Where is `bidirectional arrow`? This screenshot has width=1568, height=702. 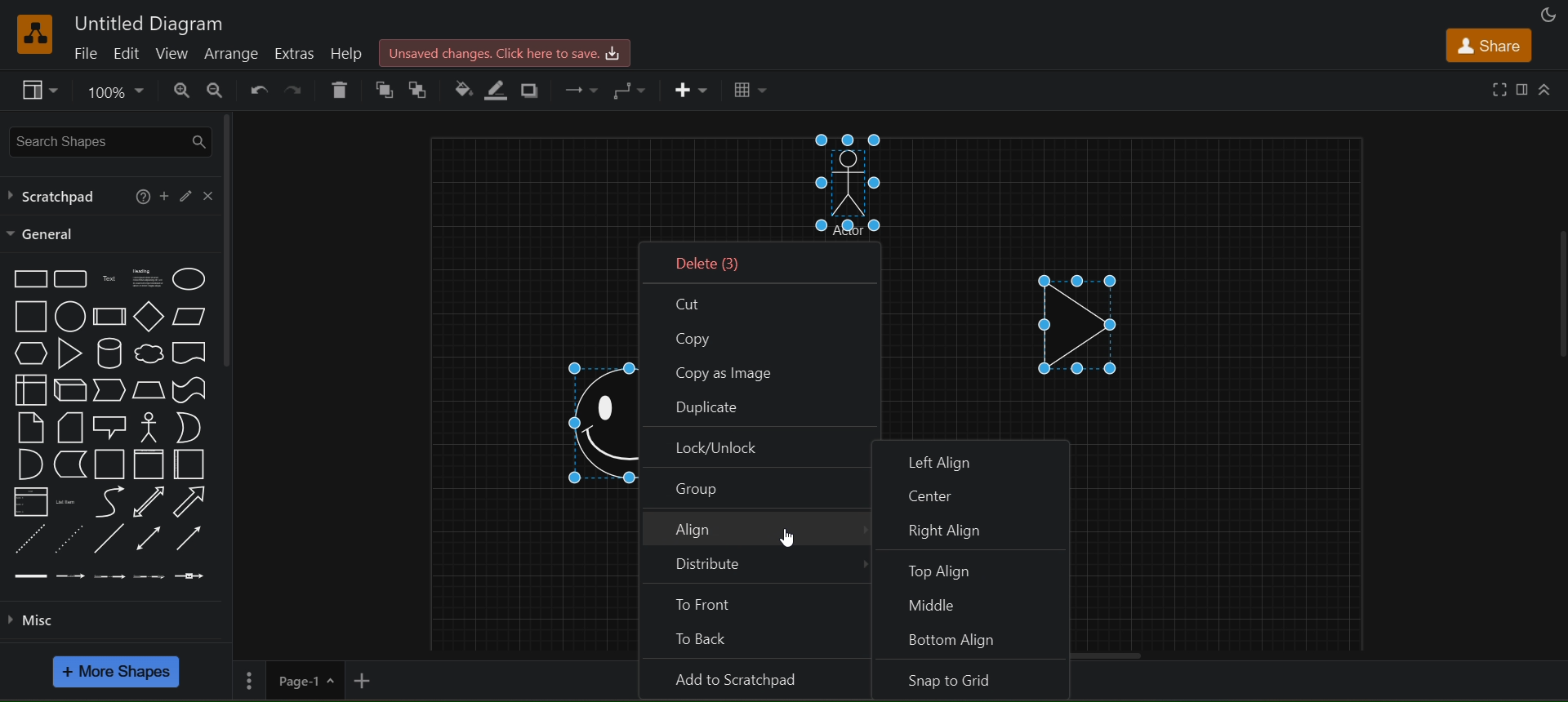
bidirectional arrow is located at coordinates (149, 500).